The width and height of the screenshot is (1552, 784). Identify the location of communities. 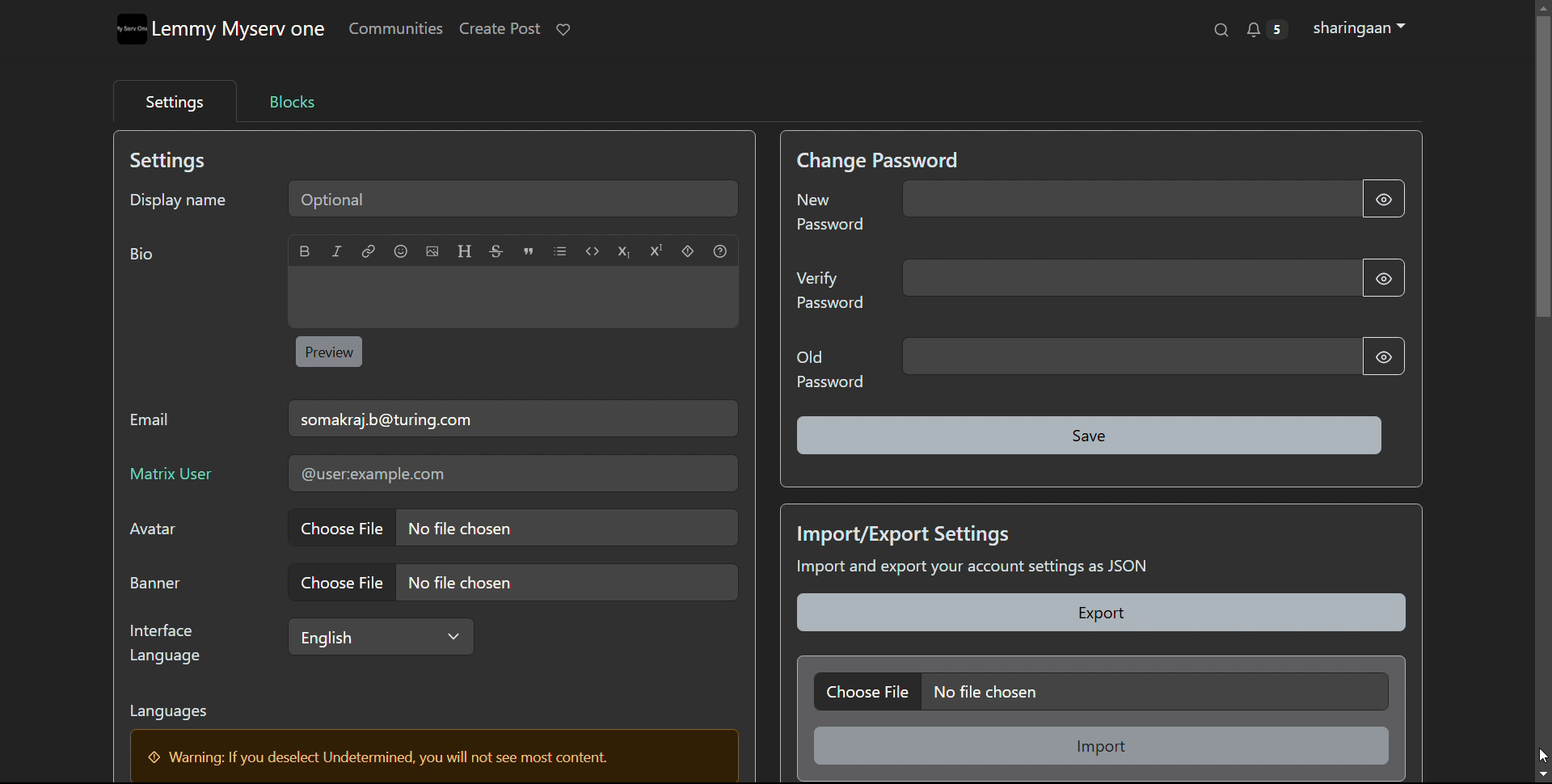
(394, 30).